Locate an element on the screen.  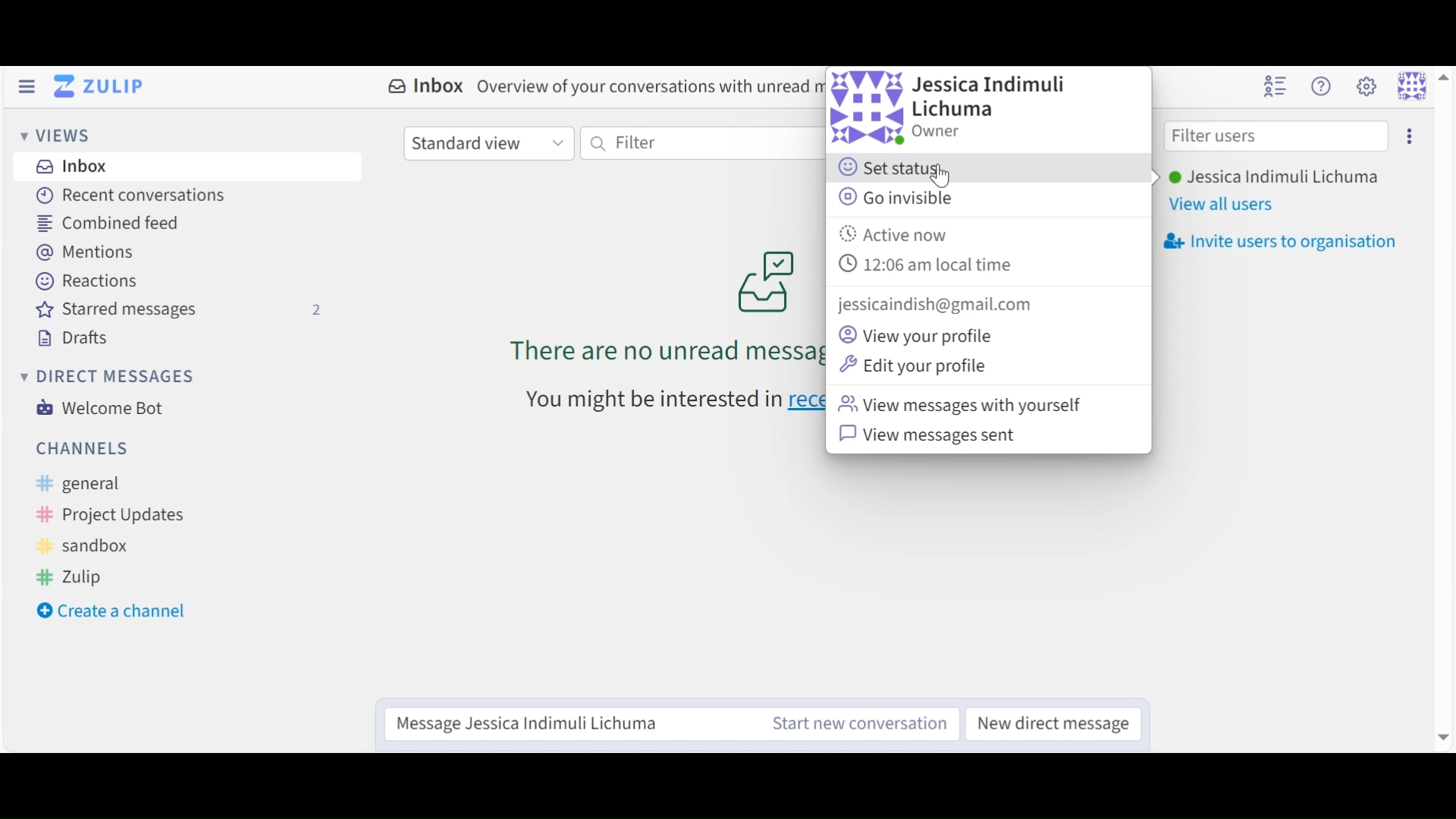
New direct message is located at coordinates (1049, 722).